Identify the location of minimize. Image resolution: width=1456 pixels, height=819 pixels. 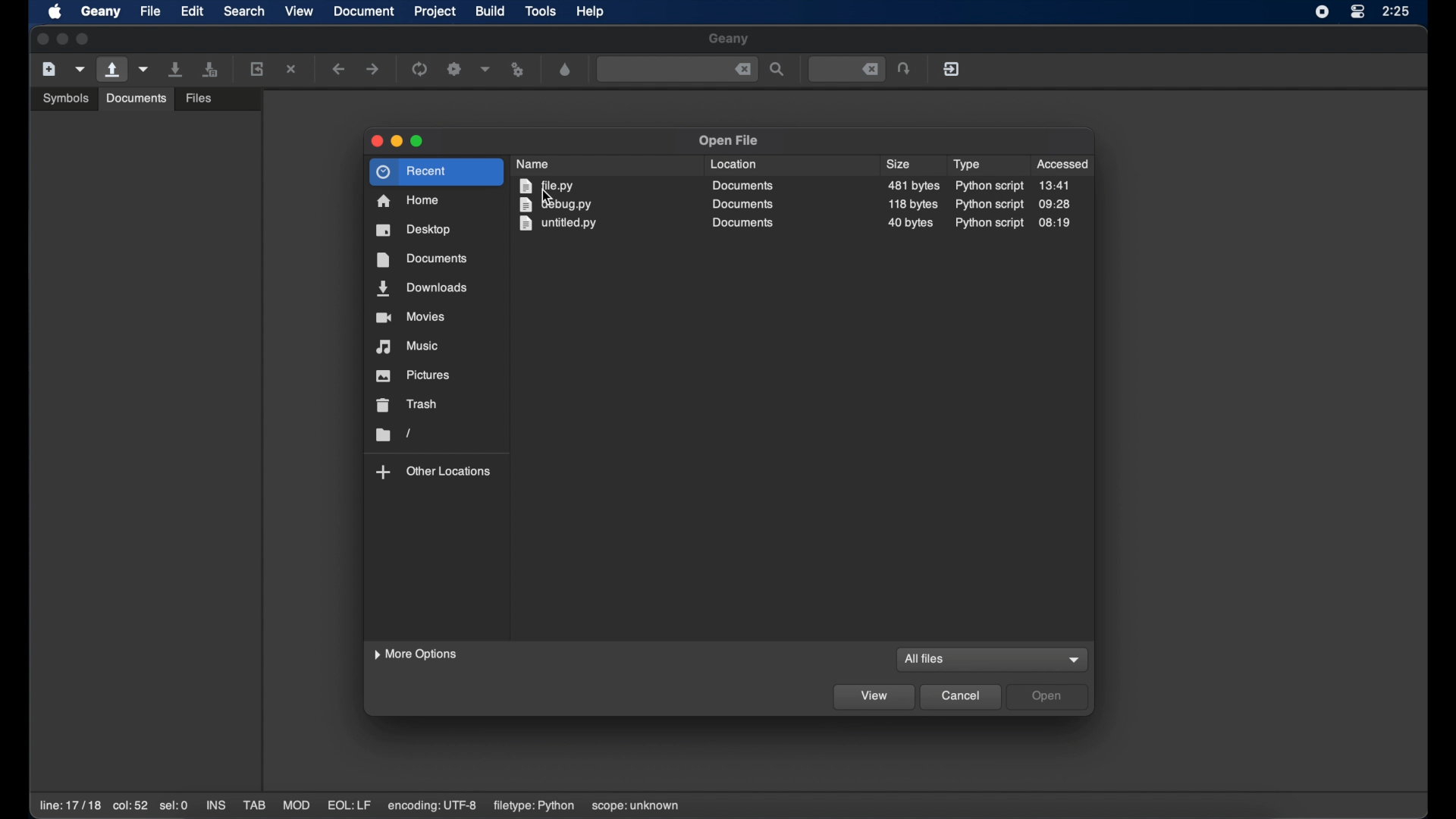
(397, 142).